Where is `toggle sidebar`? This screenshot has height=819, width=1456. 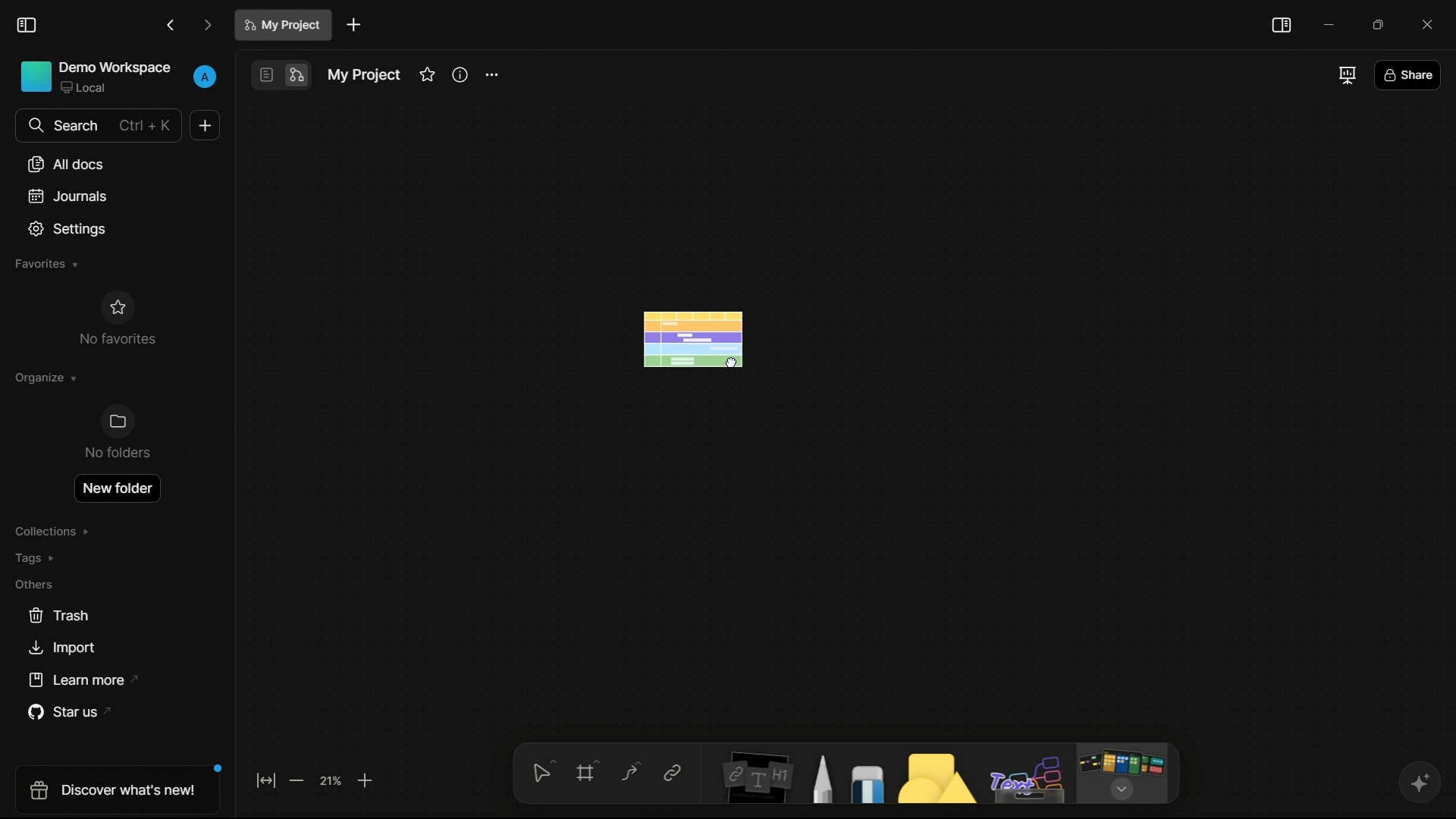 toggle sidebar is located at coordinates (27, 25).